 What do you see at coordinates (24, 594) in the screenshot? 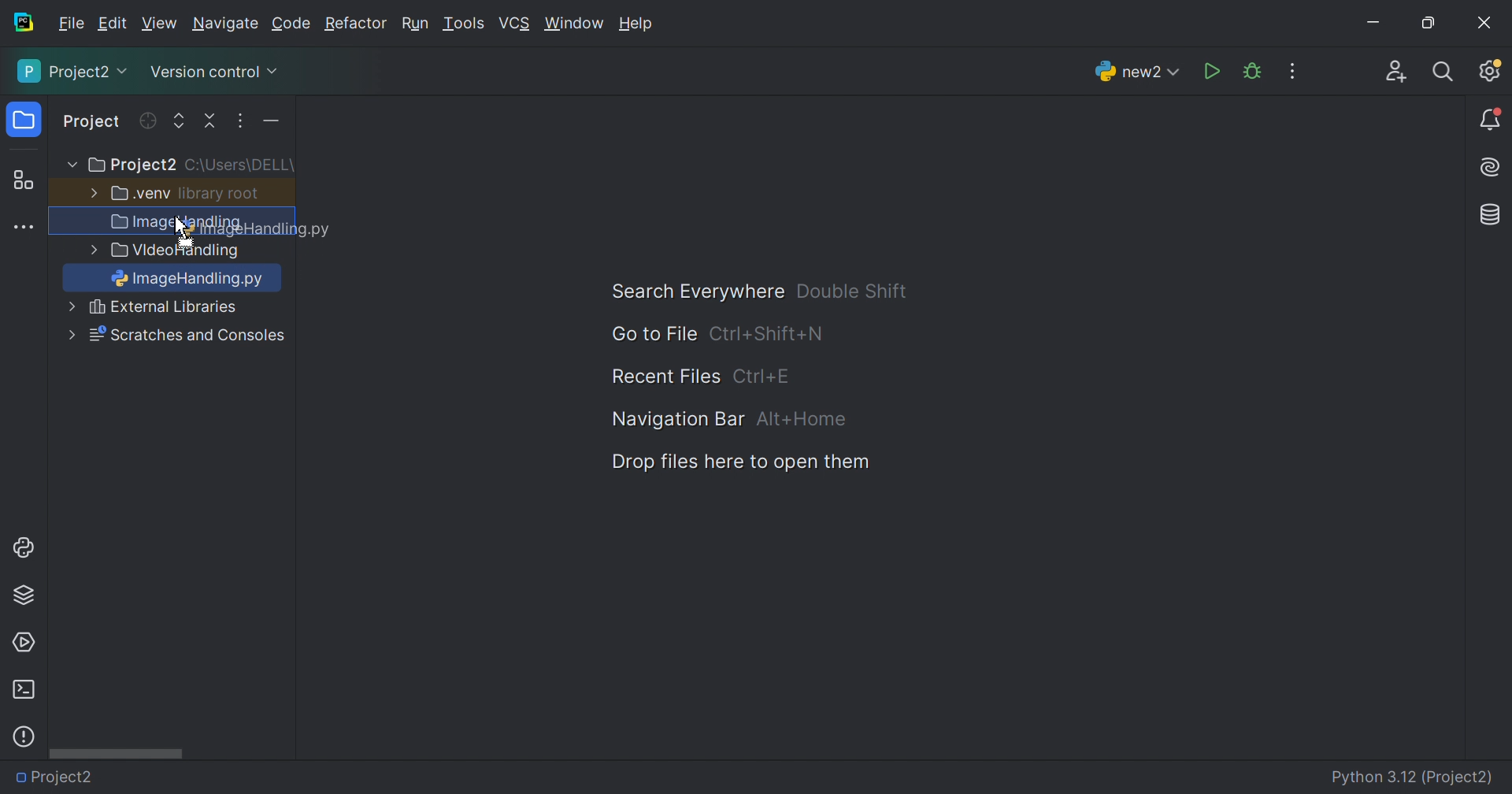
I see `Python packages` at bounding box center [24, 594].